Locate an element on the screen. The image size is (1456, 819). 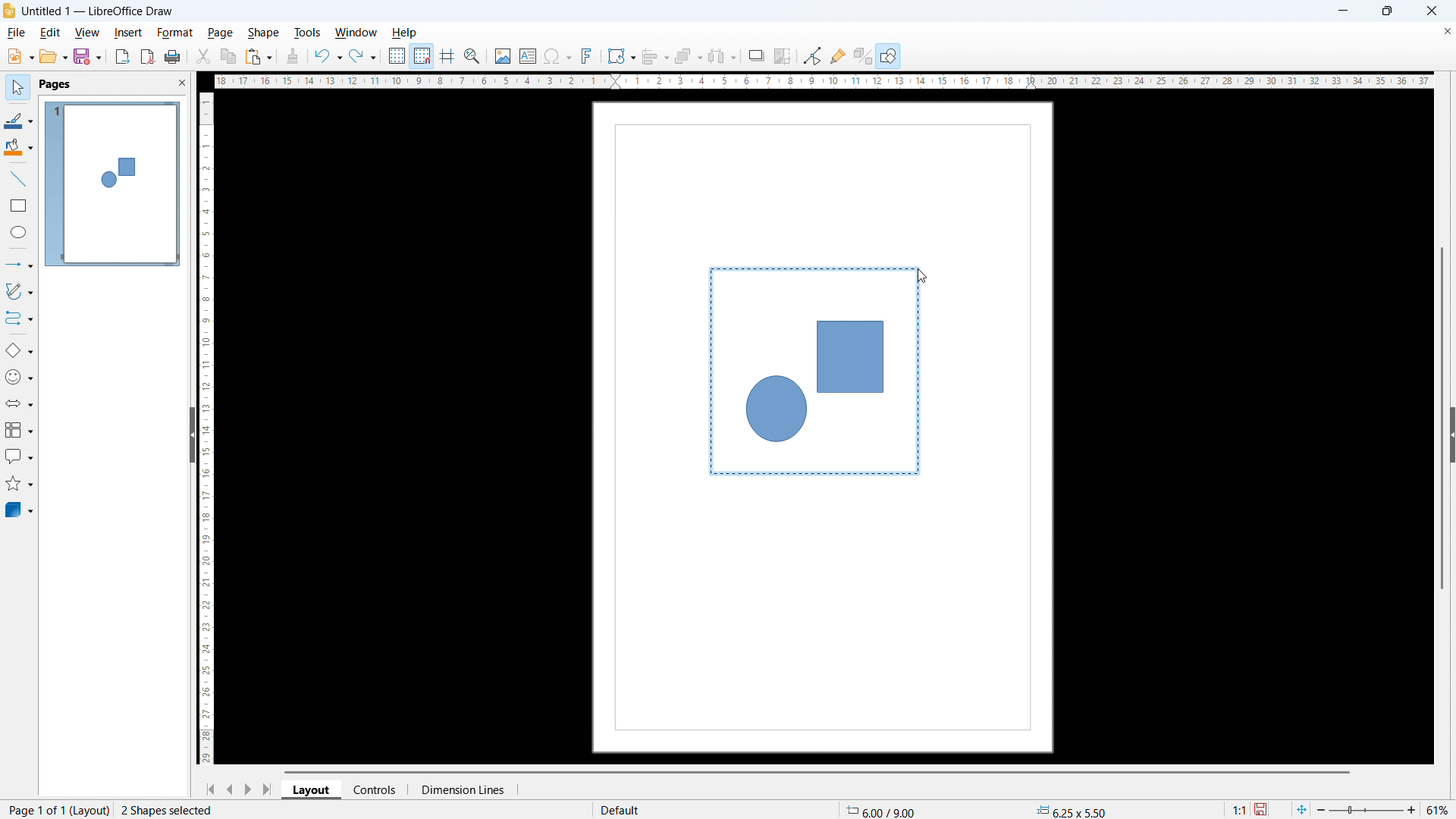
lines & arrows is located at coordinates (22, 265).